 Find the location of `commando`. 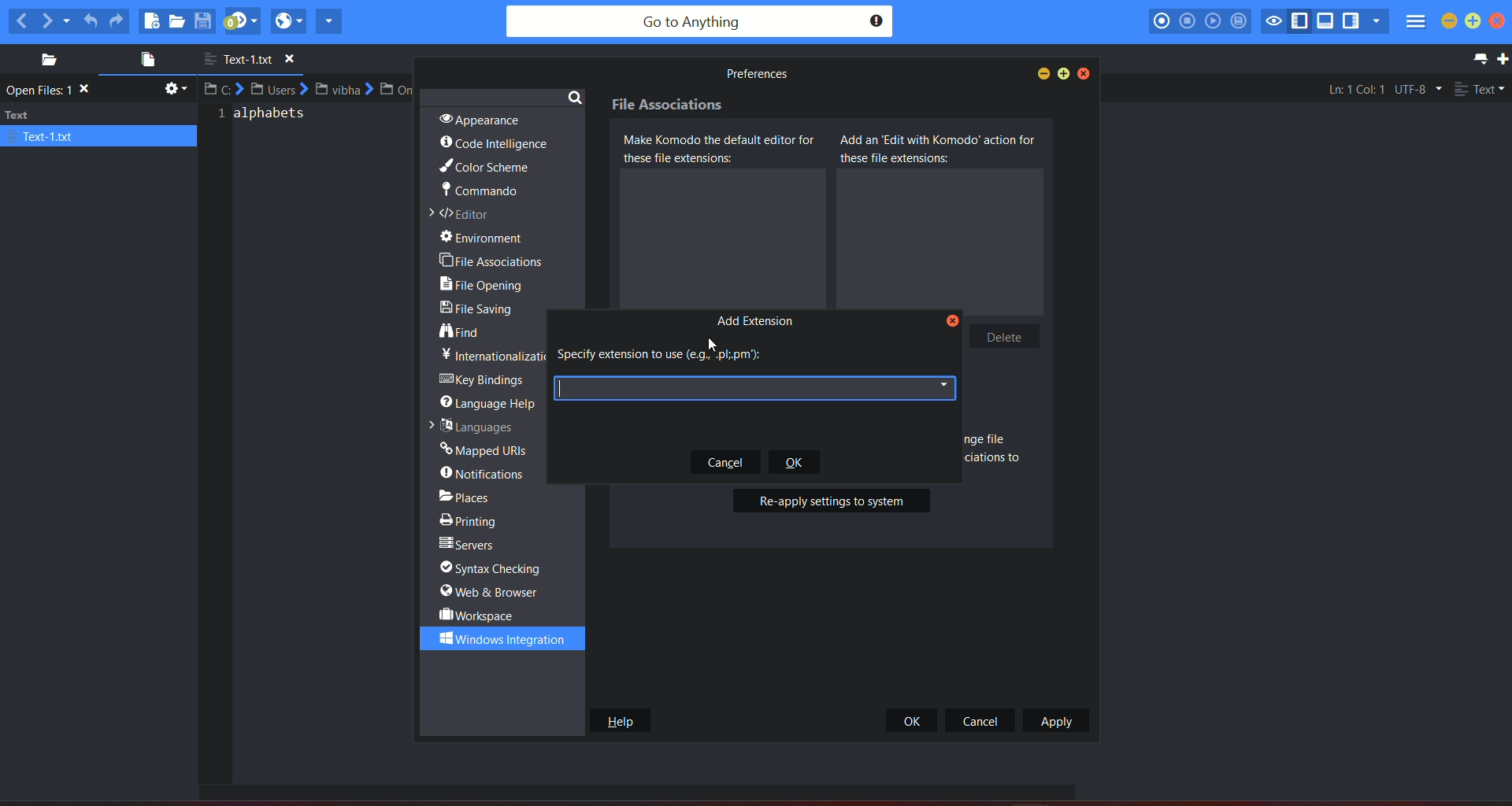

commando is located at coordinates (479, 193).